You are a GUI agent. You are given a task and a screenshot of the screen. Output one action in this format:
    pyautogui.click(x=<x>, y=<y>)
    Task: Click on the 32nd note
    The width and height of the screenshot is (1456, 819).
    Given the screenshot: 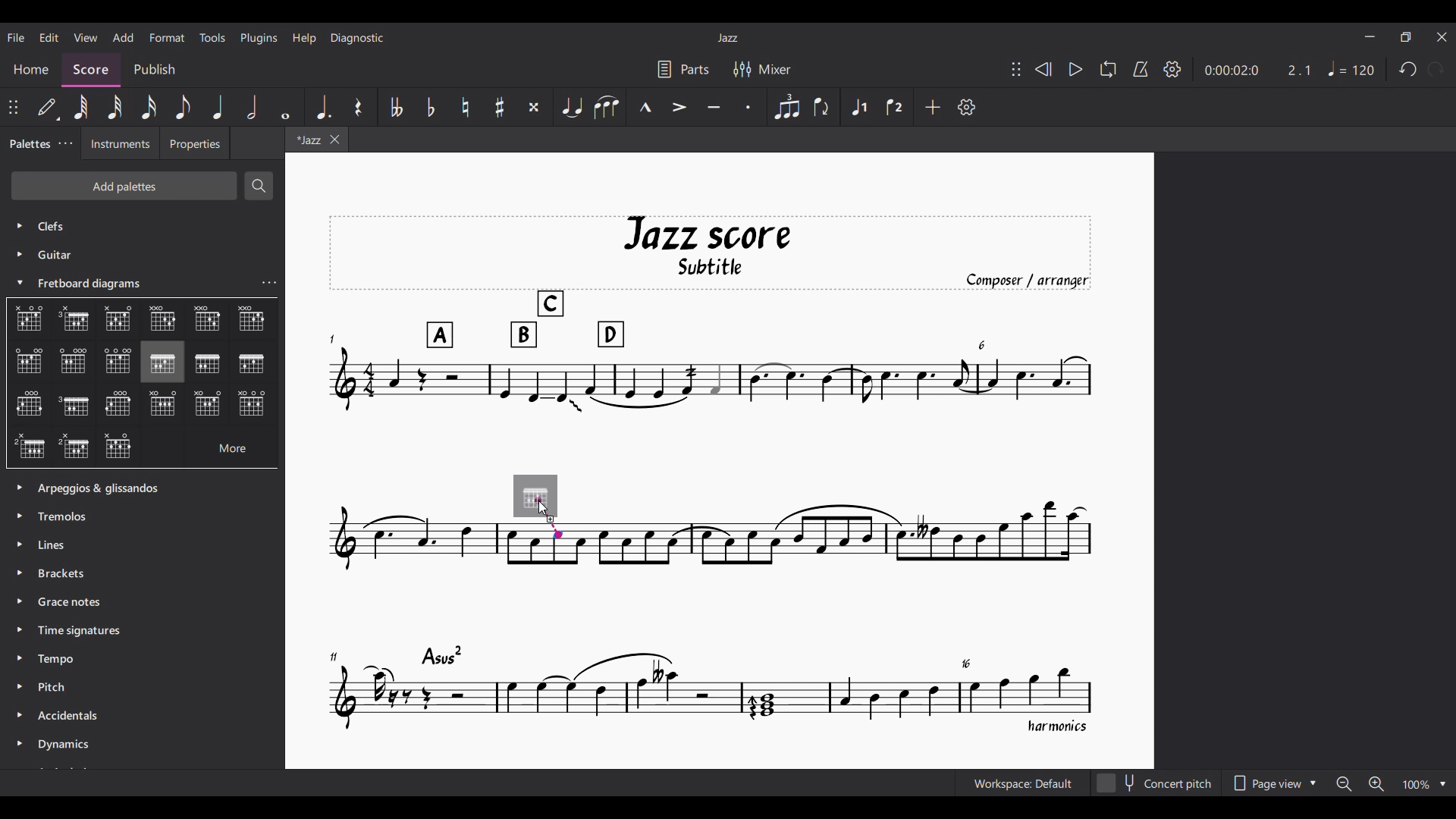 What is the action you would take?
    pyautogui.click(x=115, y=107)
    